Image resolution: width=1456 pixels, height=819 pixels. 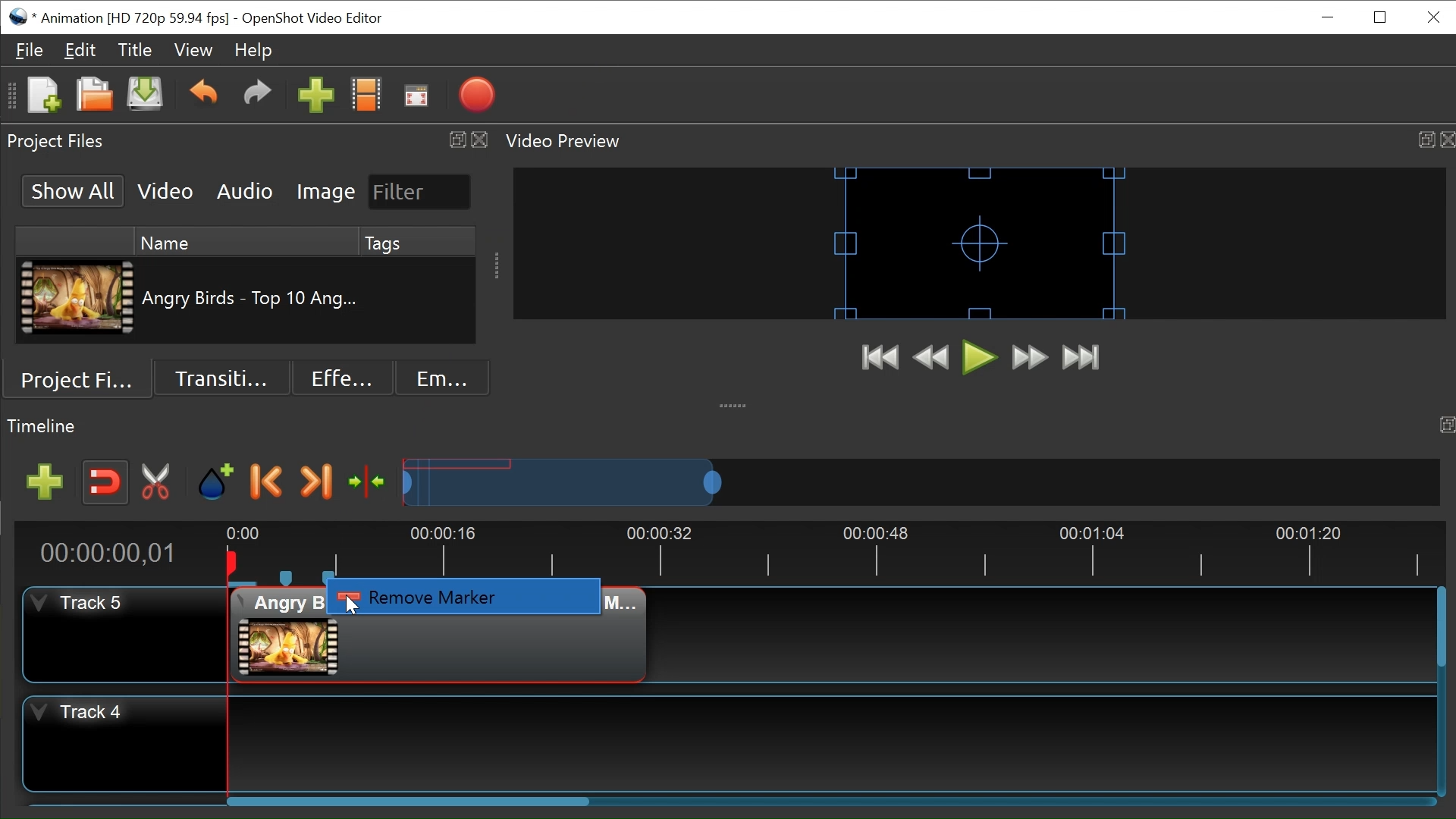 I want to click on Close, so click(x=1434, y=17).